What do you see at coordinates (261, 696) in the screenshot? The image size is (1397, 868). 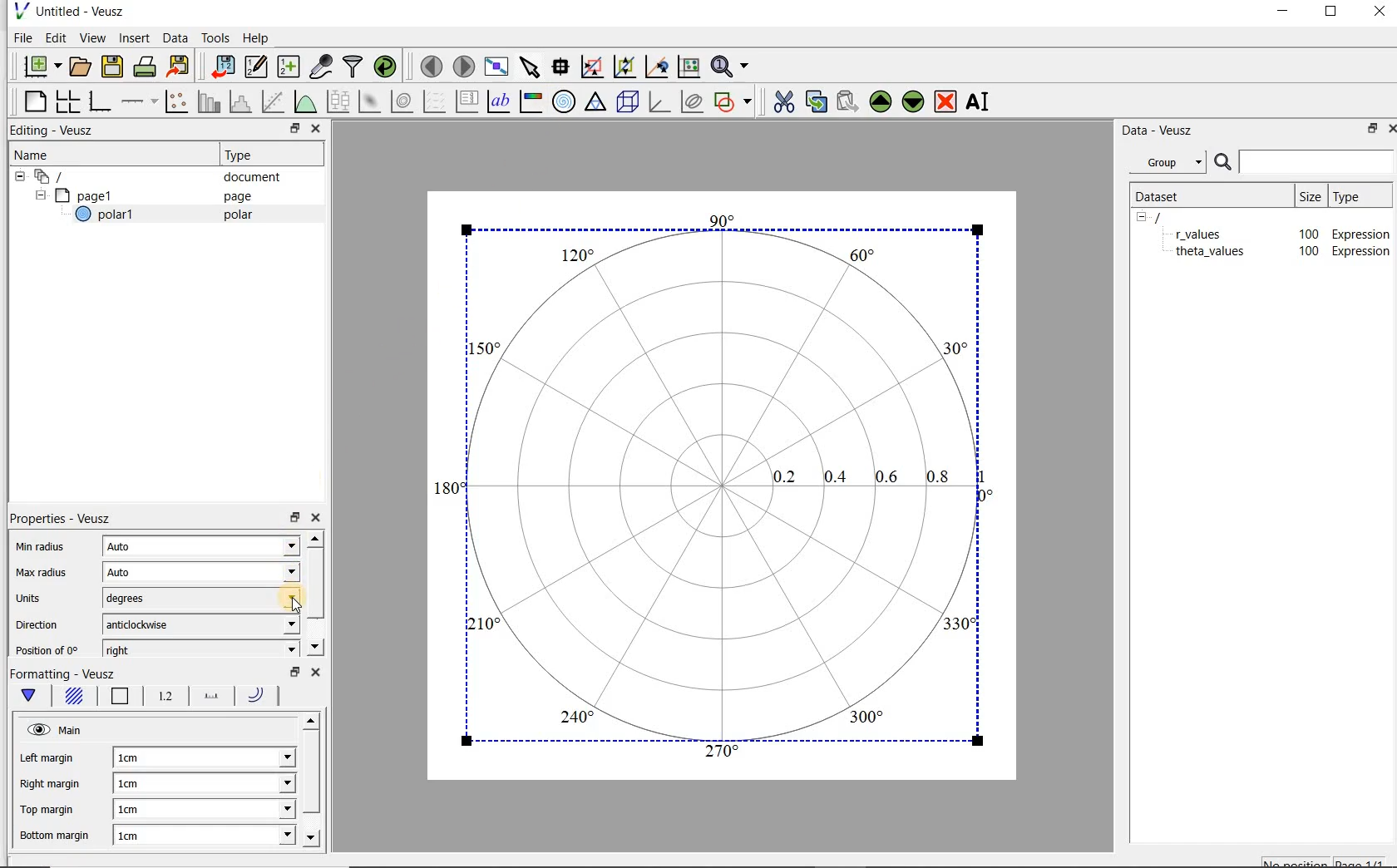 I see `Radii line` at bounding box center [261, 696].